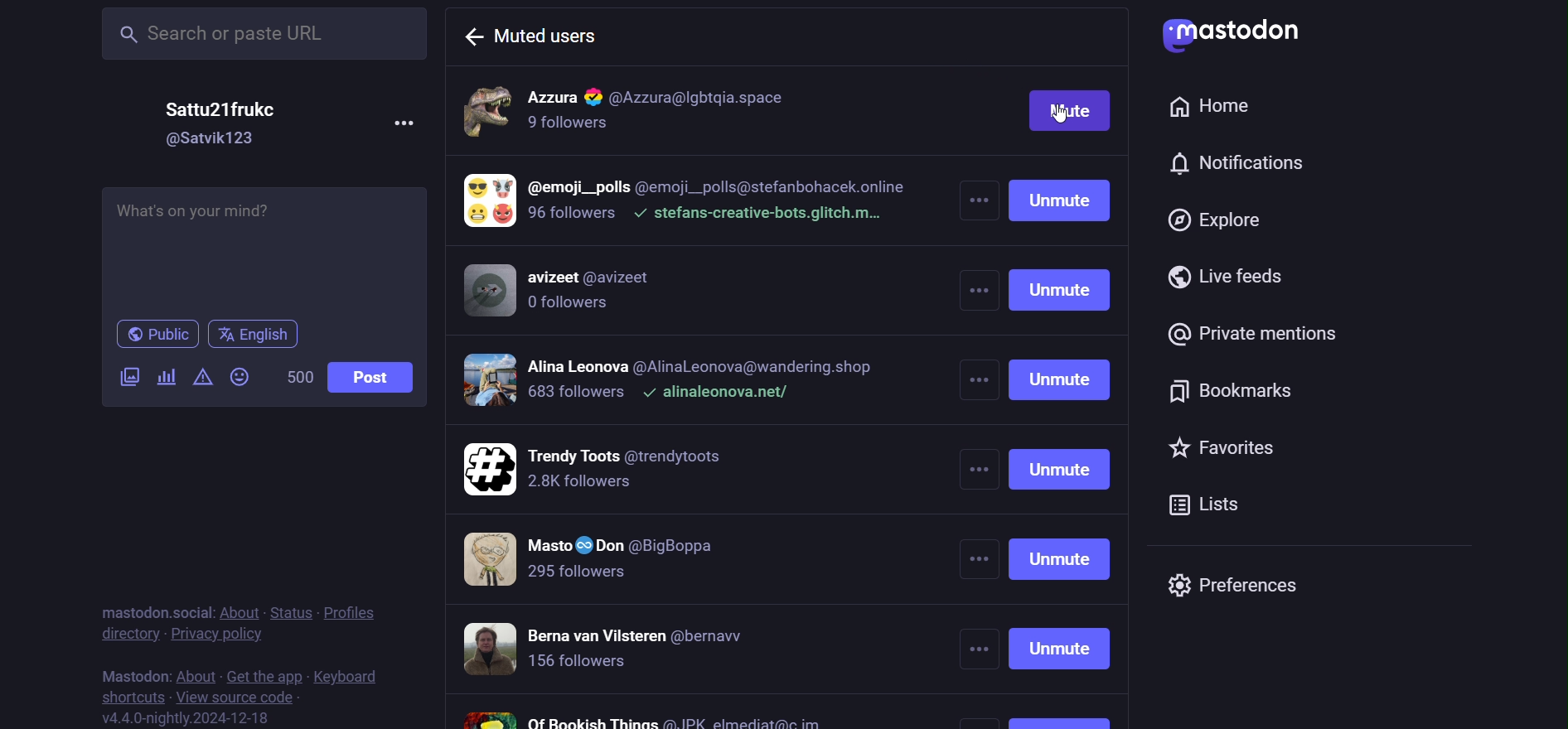 The image size is (1568, 729). What do you see at coordinates (123, 632) in the screenshot?
I see `directory` at bounding box center [123, 632].